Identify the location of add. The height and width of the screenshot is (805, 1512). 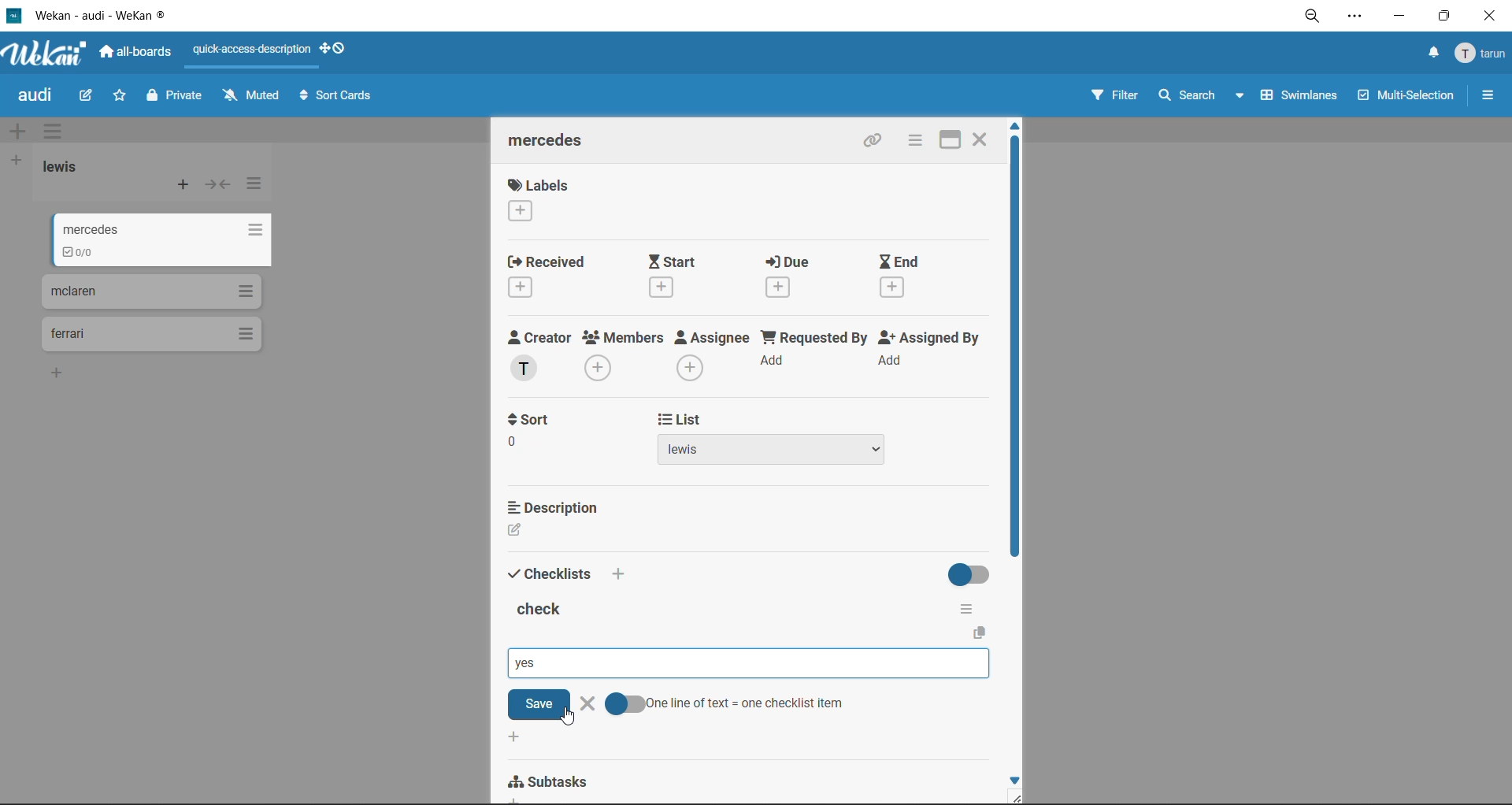
(517, 740).